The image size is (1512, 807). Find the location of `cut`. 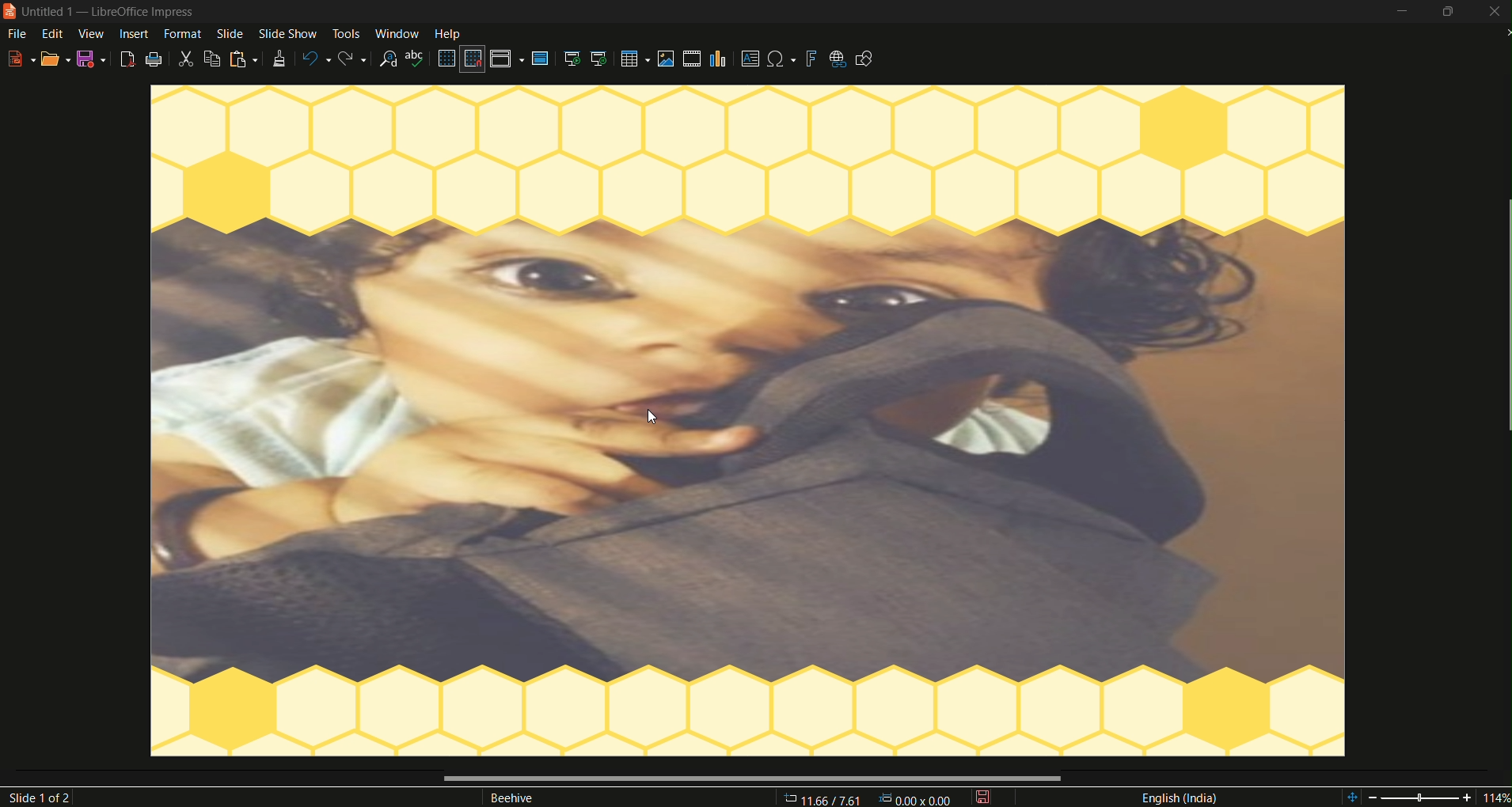

cut is located at coordinates (187, 59).